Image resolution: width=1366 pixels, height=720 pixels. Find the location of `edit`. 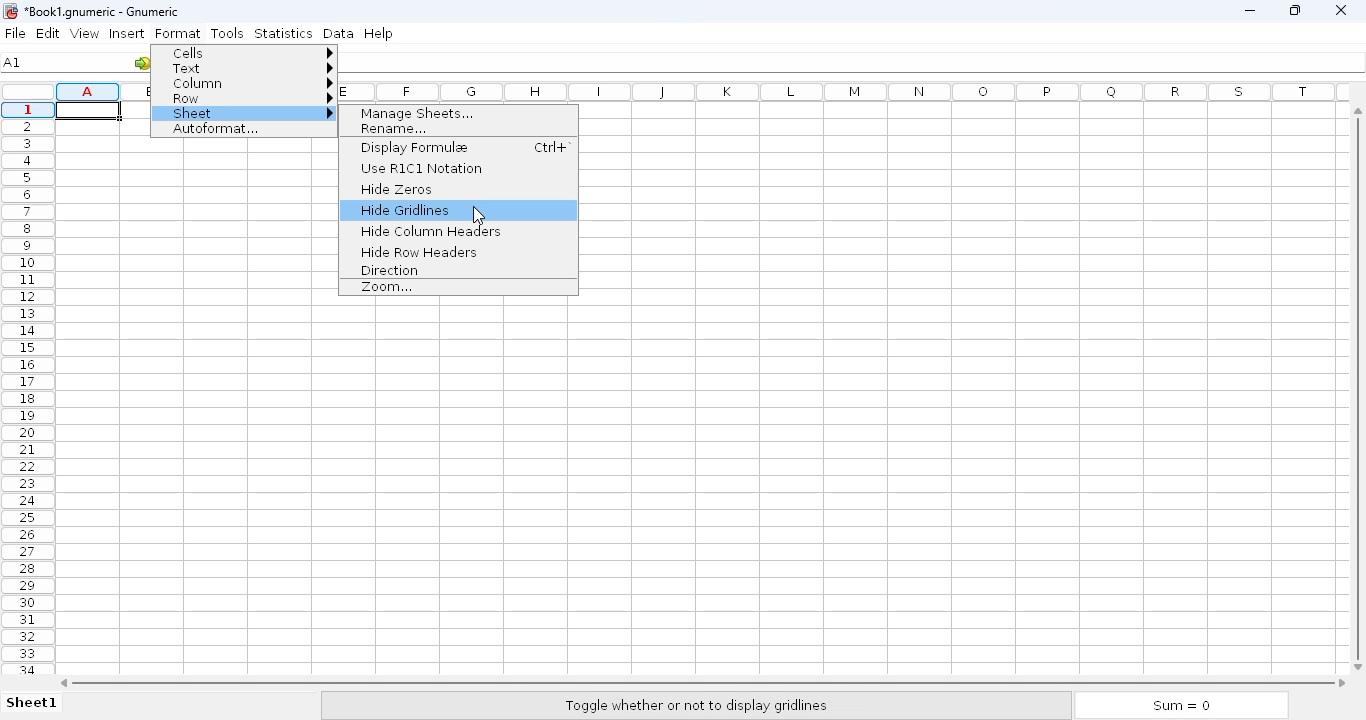

edit is located at coordinates (49, 33).